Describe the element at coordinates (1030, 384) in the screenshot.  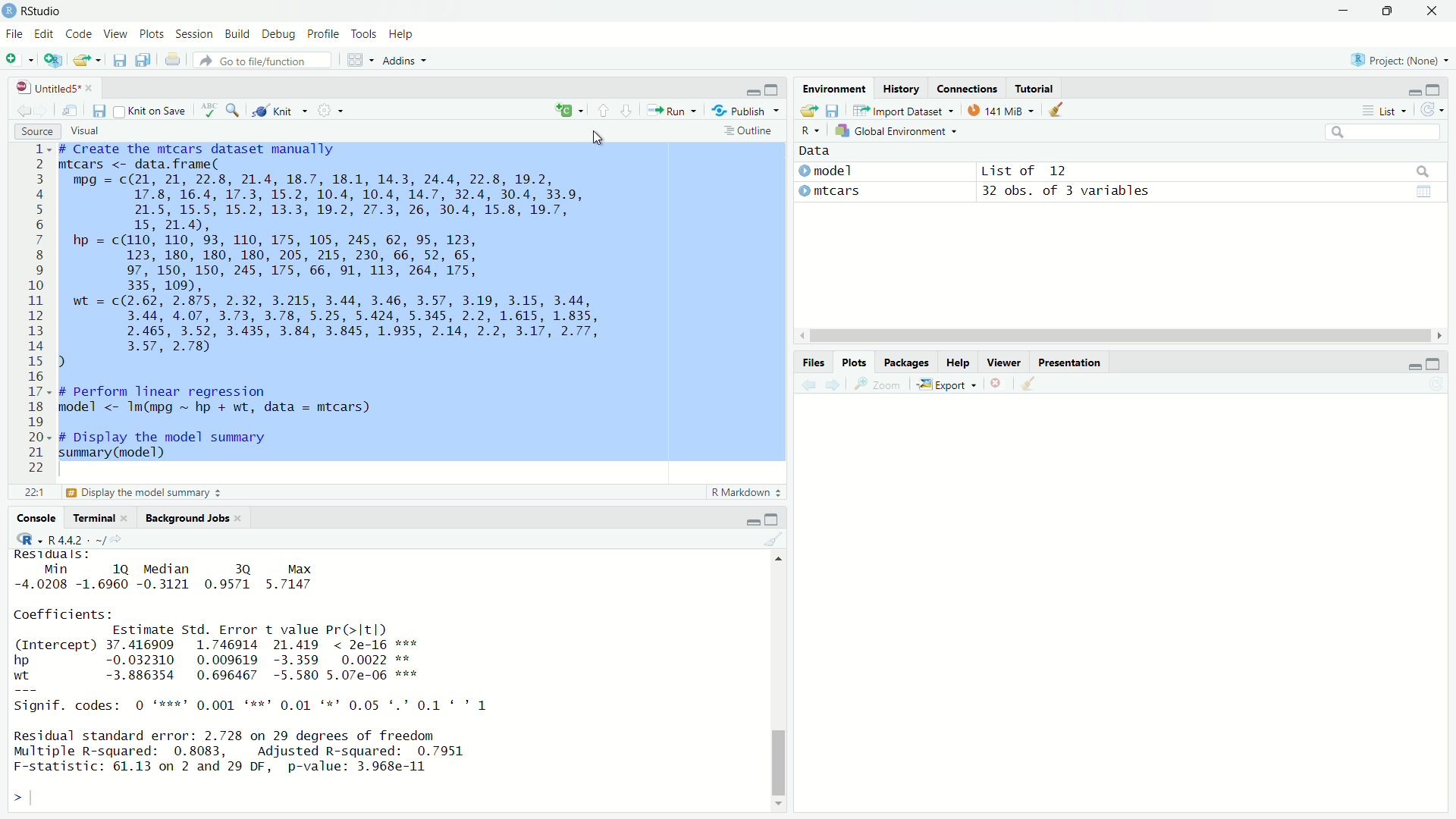
I see `clear all plots` at that location.